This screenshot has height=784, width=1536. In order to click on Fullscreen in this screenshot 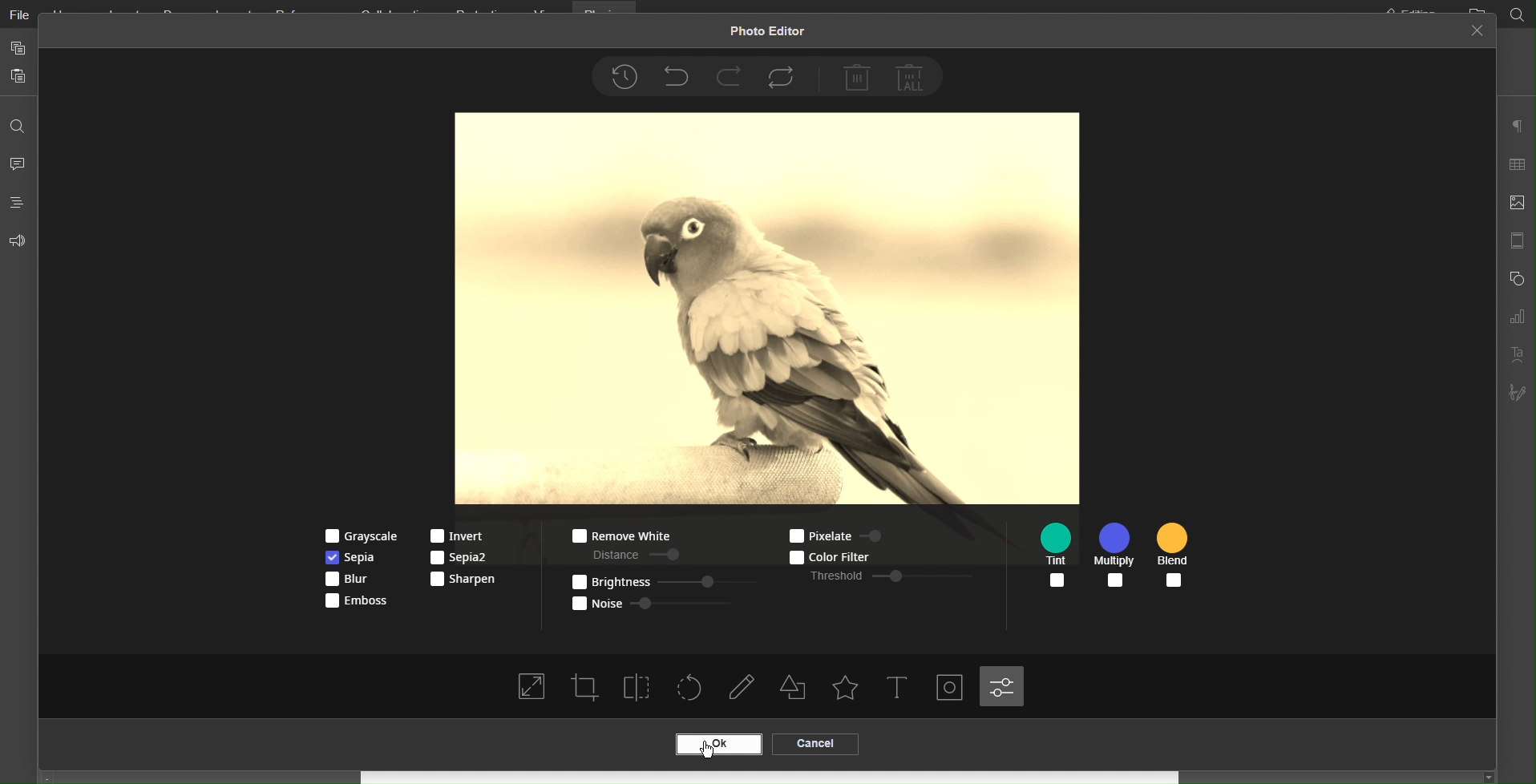, I will do `click(531, 689)`.